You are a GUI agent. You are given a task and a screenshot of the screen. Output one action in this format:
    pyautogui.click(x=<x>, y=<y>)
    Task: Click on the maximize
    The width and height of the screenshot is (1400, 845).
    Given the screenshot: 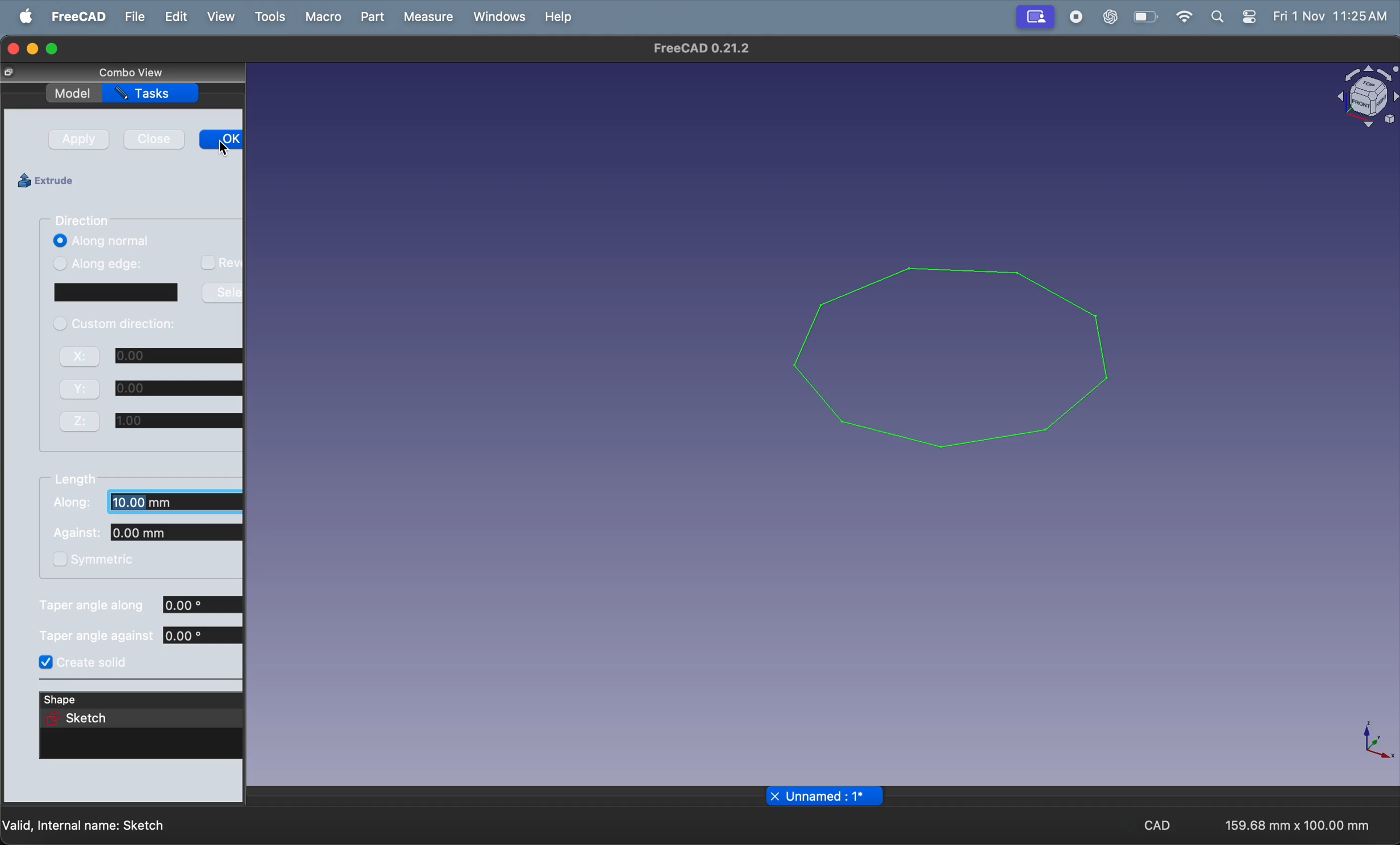 What is the action you would take?
    pyautogui.click(x=55, y=48)
    